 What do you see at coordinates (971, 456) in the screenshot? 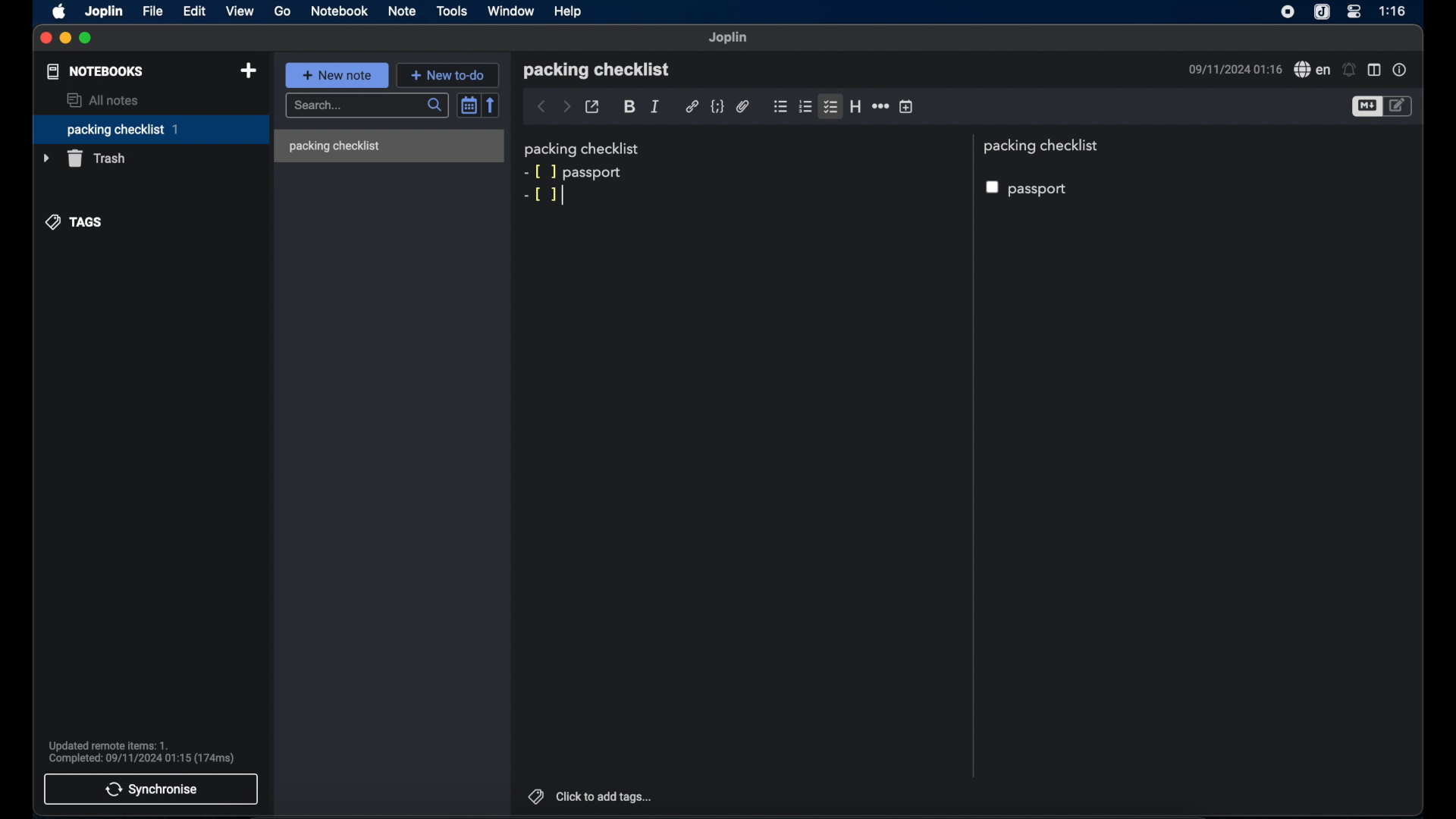
I see `divider` at bounding box center [971, 456].